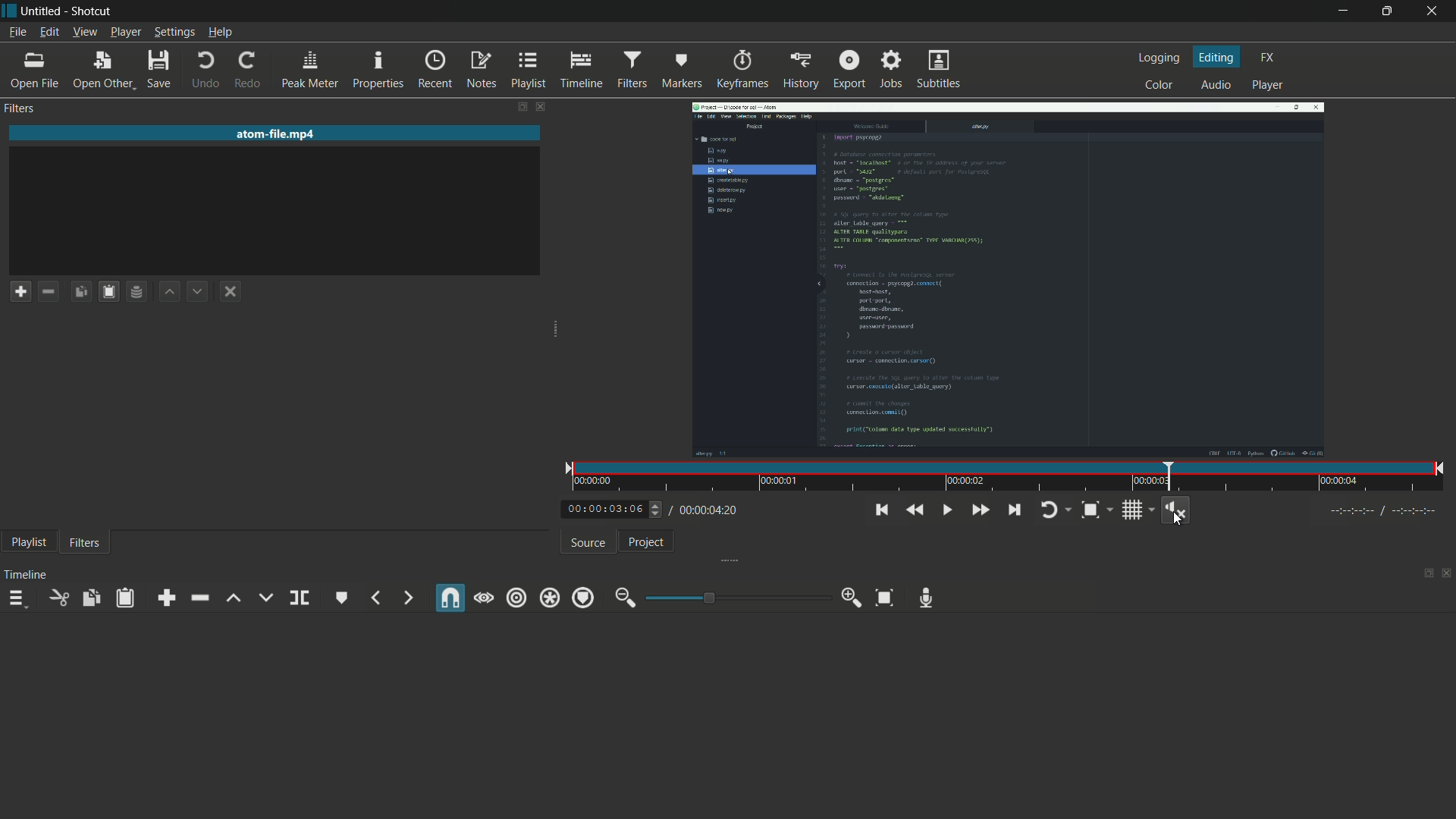 The image size is (1456, 819). What do you see at coordinates (125, 32) in the screenshot?
I see `player menu` at bounding box center [125, 32].